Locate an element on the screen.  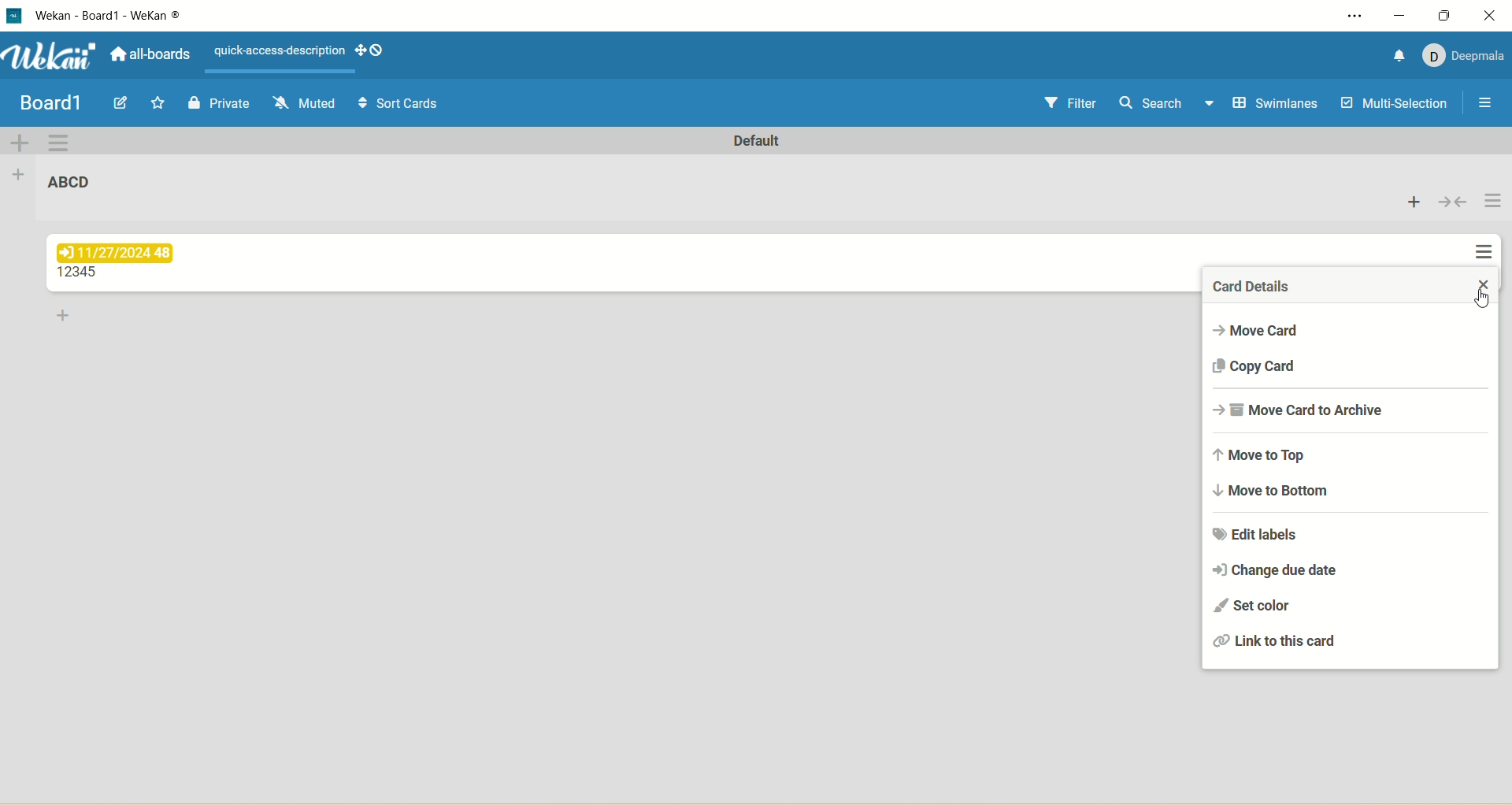
due date is located at coordinates (119, 253).